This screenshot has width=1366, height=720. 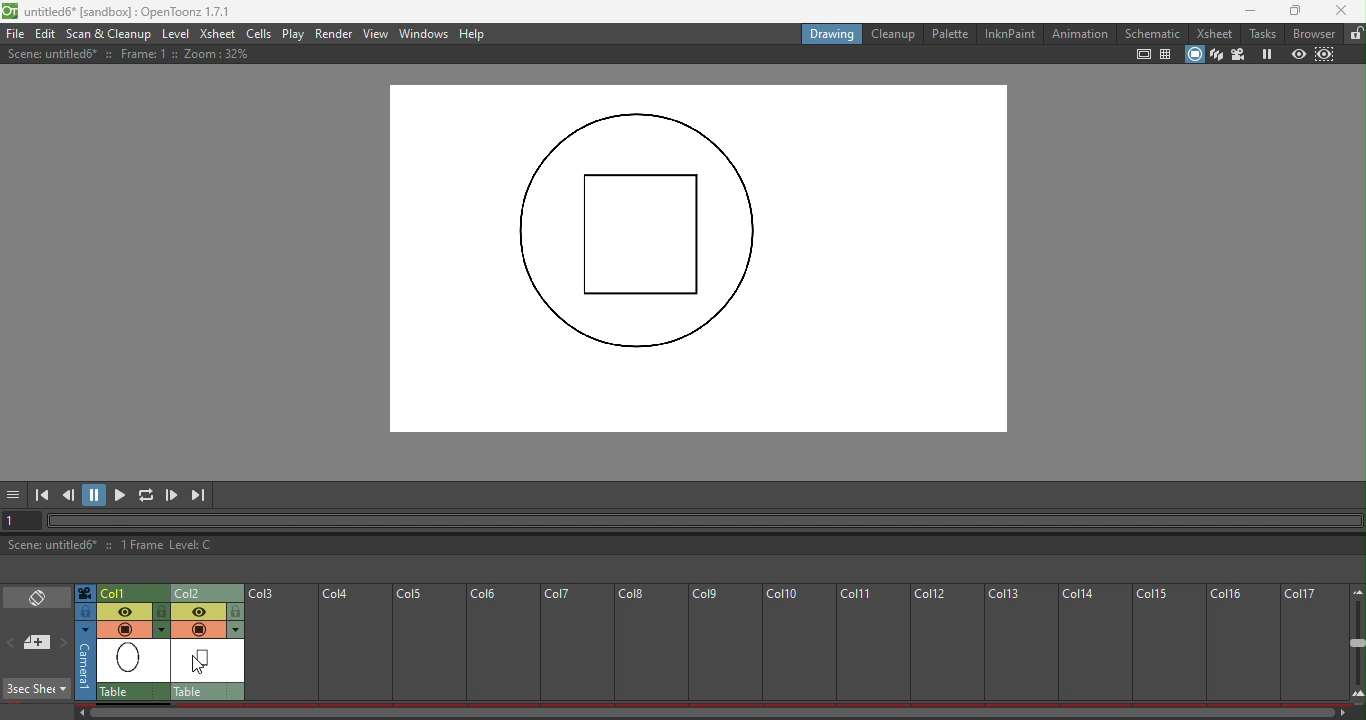 What do you see at coordinates (96, 495) in the screenshot?
I see `Pause` at bounding box center [96, 495].